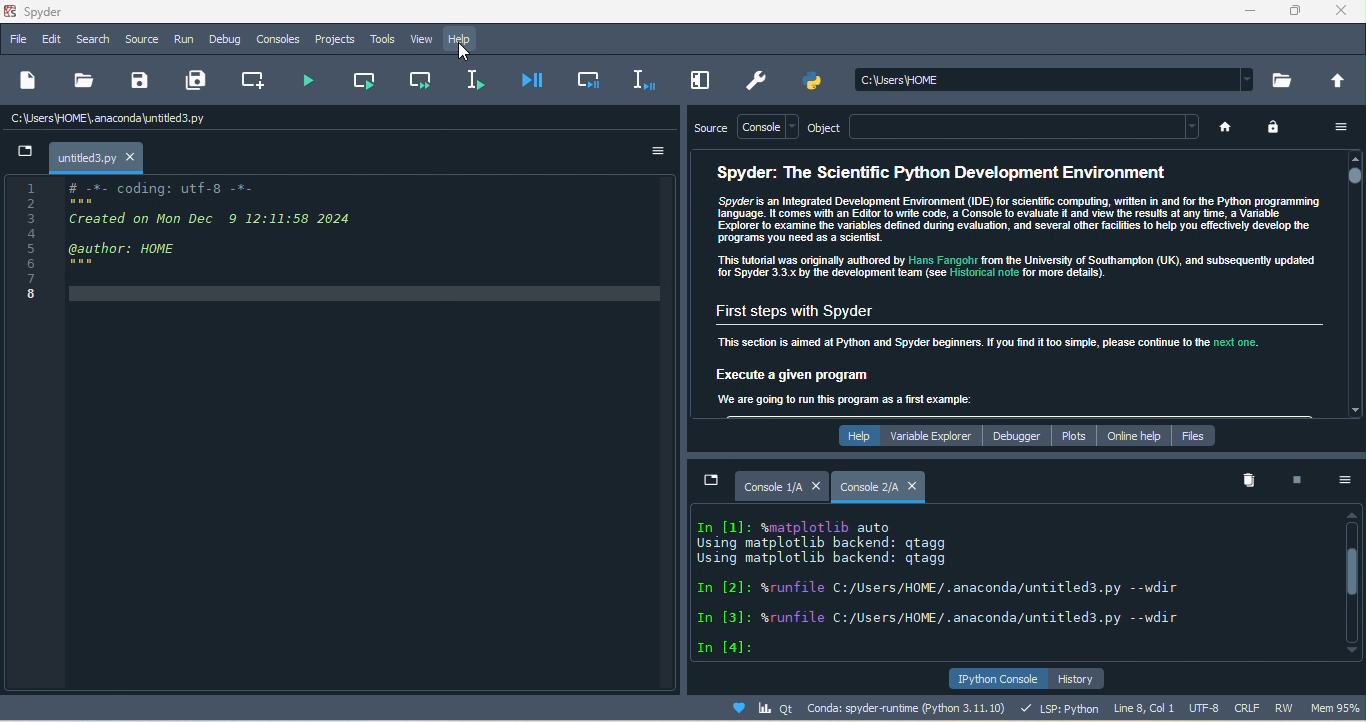 This screenshot has width=1366, height=722. Describe the element at coordinates (82, 84) in the screenshot. I see `open` at that location.